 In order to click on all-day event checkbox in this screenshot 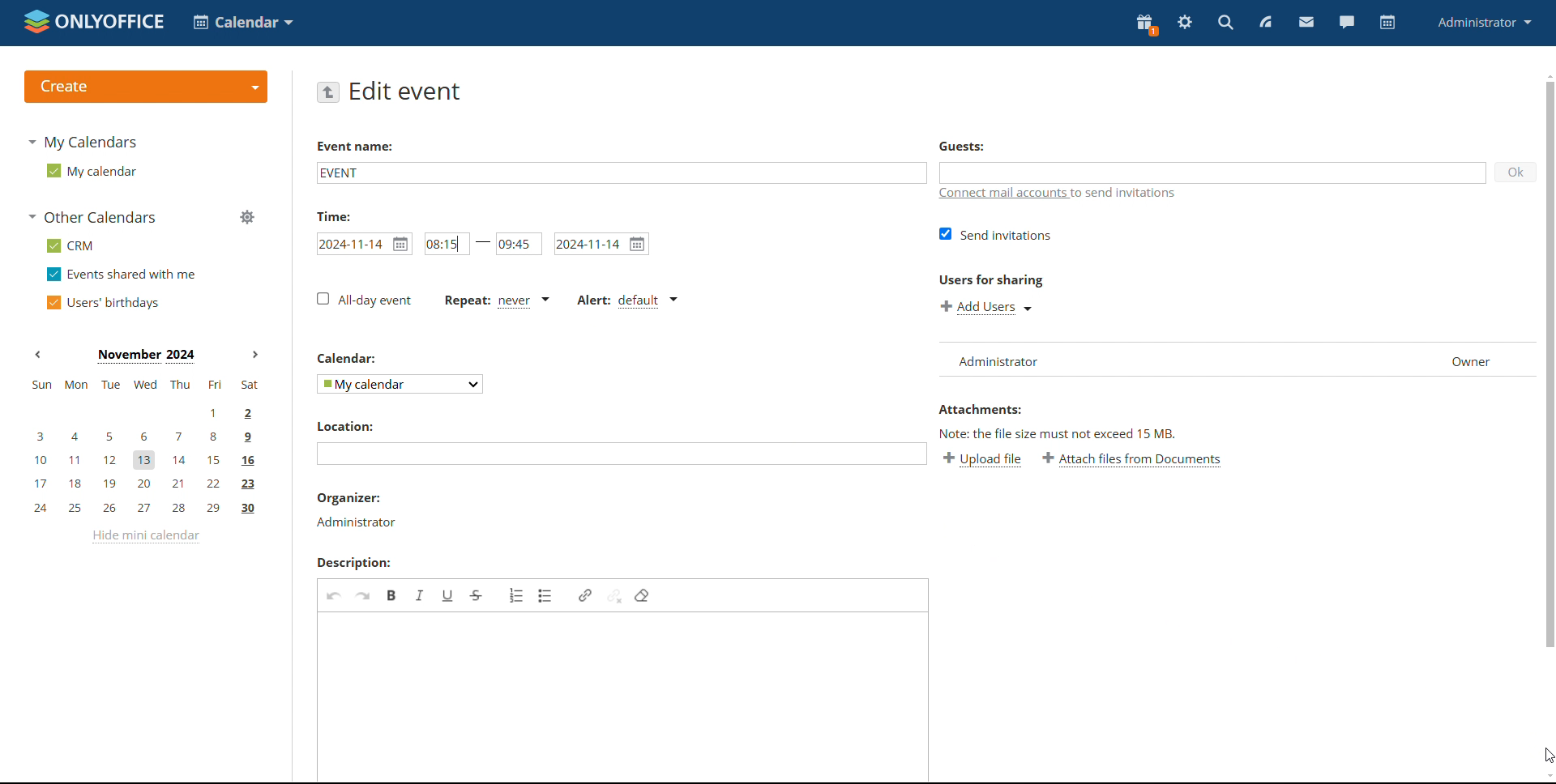, I will do `click(365, 300)`.